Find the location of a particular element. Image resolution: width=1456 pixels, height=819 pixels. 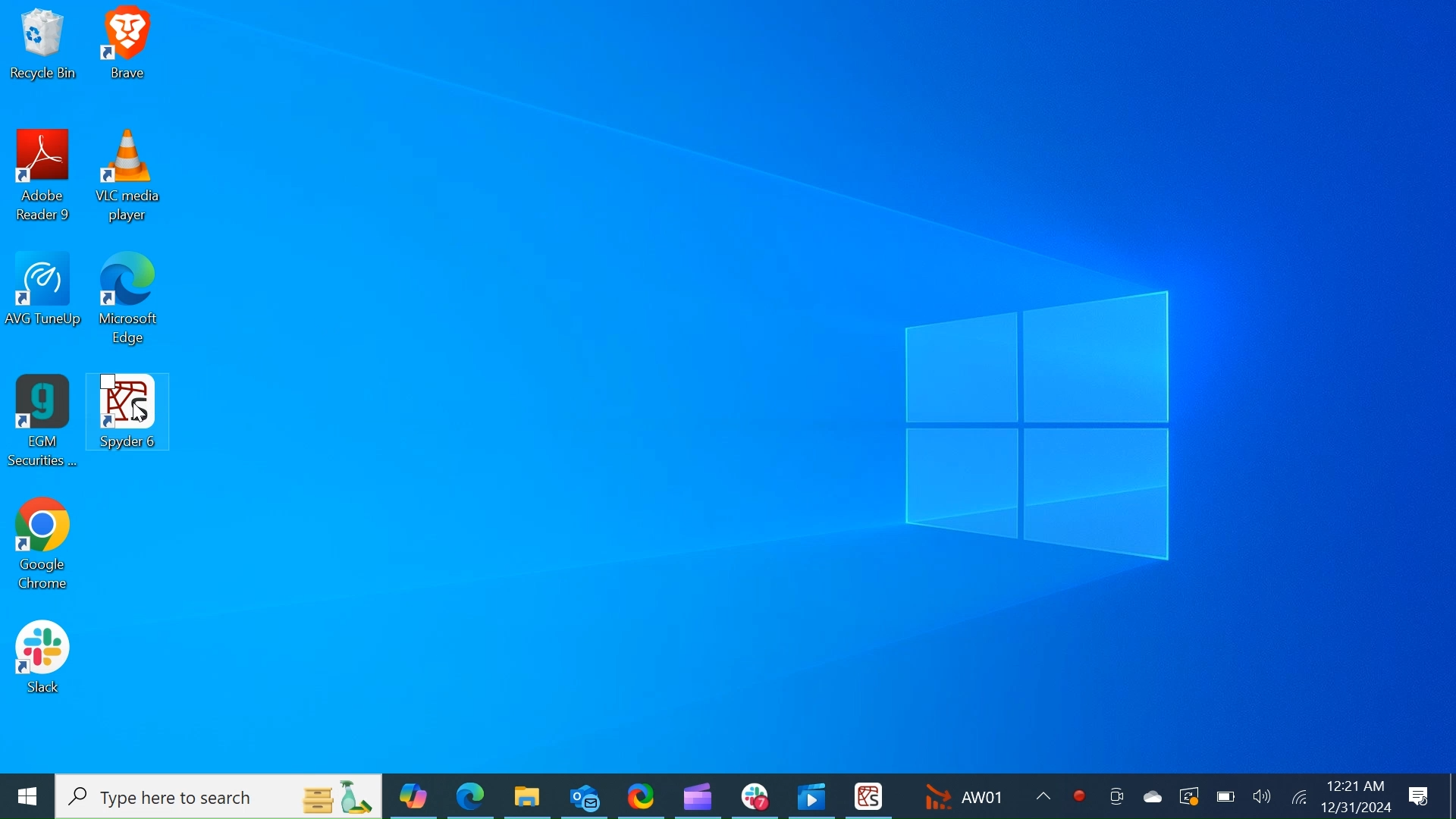

Google Chrome Desktop Icon is located at coordinates (44, 546).